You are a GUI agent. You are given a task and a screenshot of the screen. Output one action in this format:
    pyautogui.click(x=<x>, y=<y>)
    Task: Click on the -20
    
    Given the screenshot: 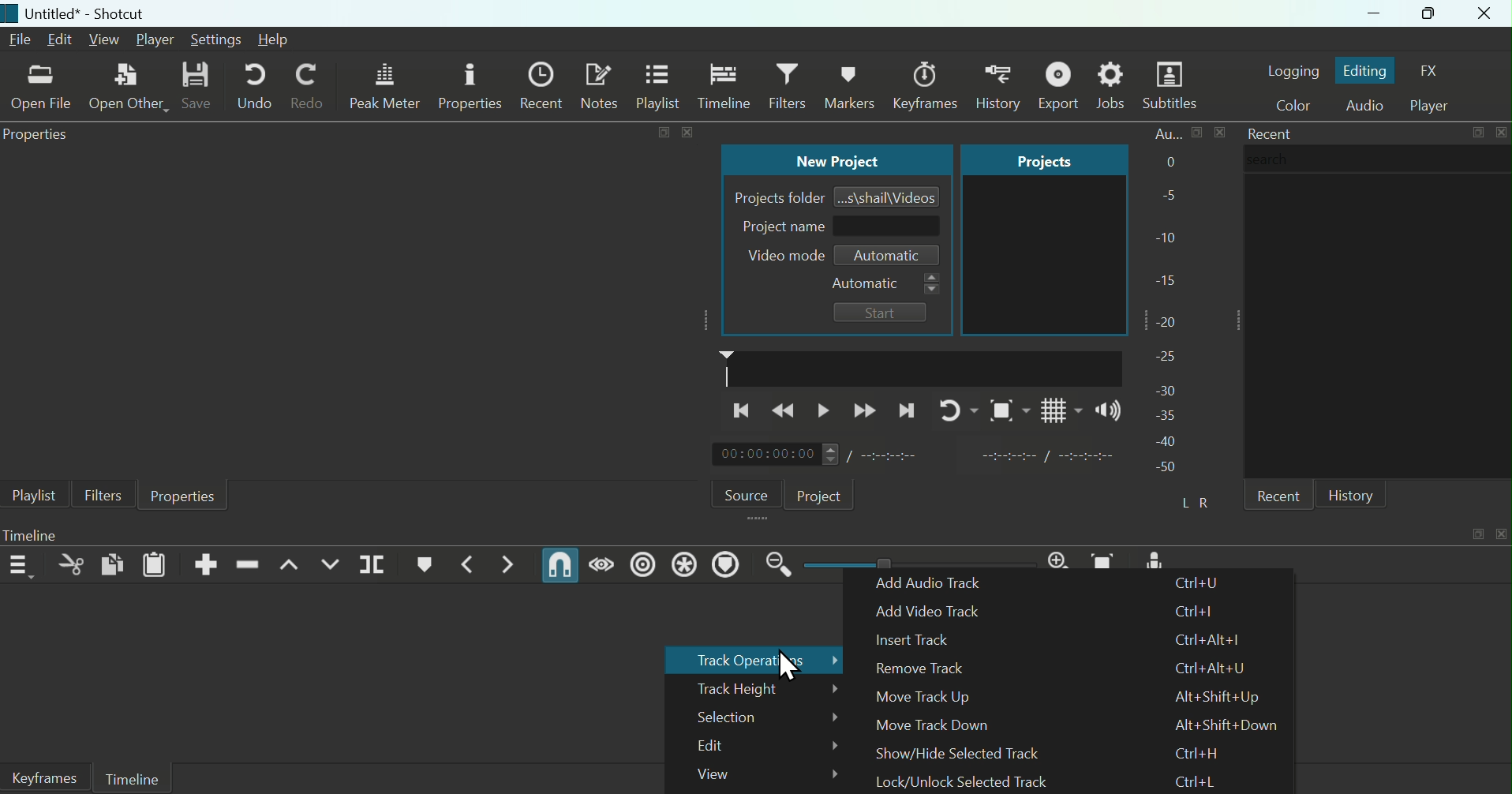 What is the action you would take?
    pyautogui.click(x=1171, y=320)
    